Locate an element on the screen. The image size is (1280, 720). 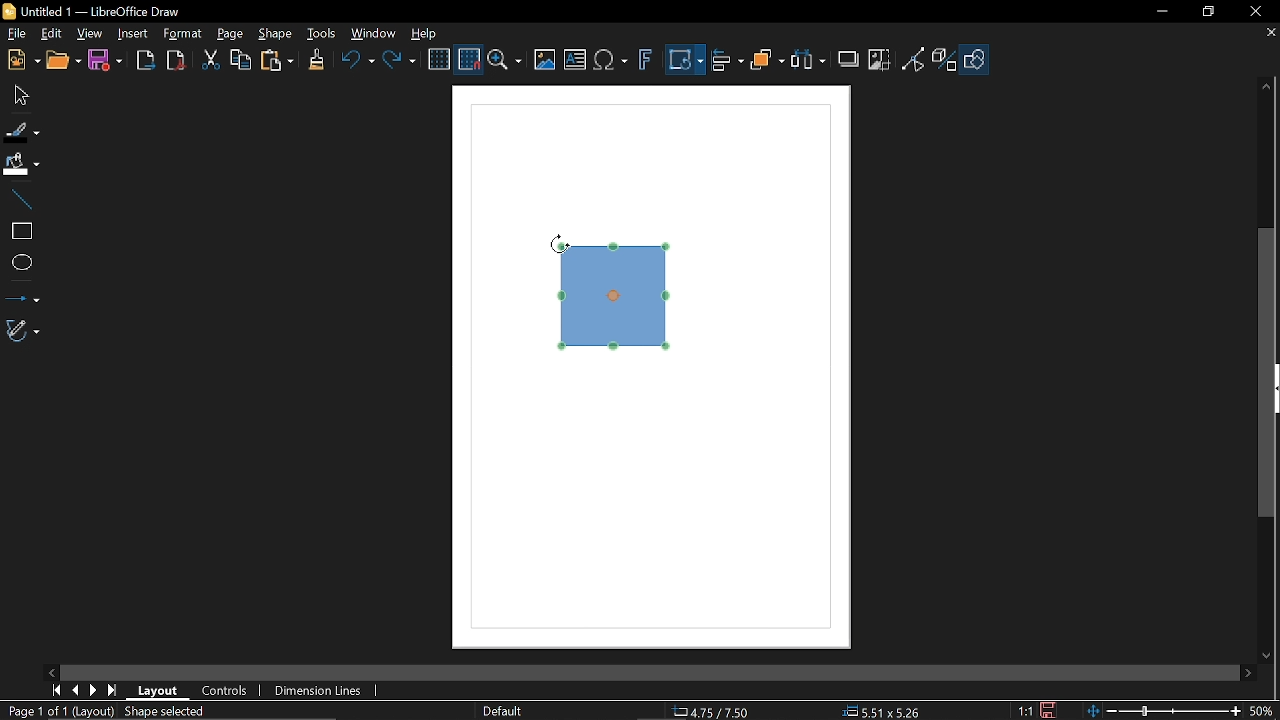
Move is located at coordinates (20, 94).